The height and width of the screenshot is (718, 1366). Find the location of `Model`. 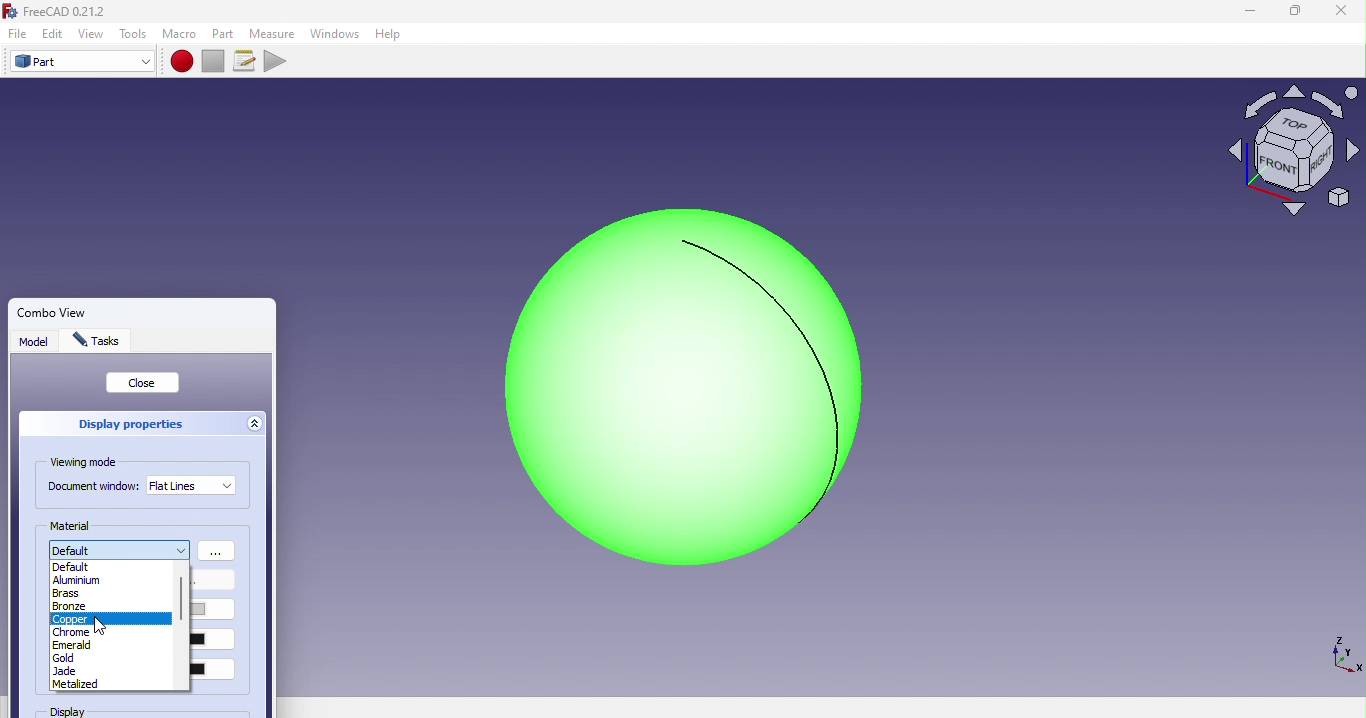

Model is located at coordinates (35, 344).